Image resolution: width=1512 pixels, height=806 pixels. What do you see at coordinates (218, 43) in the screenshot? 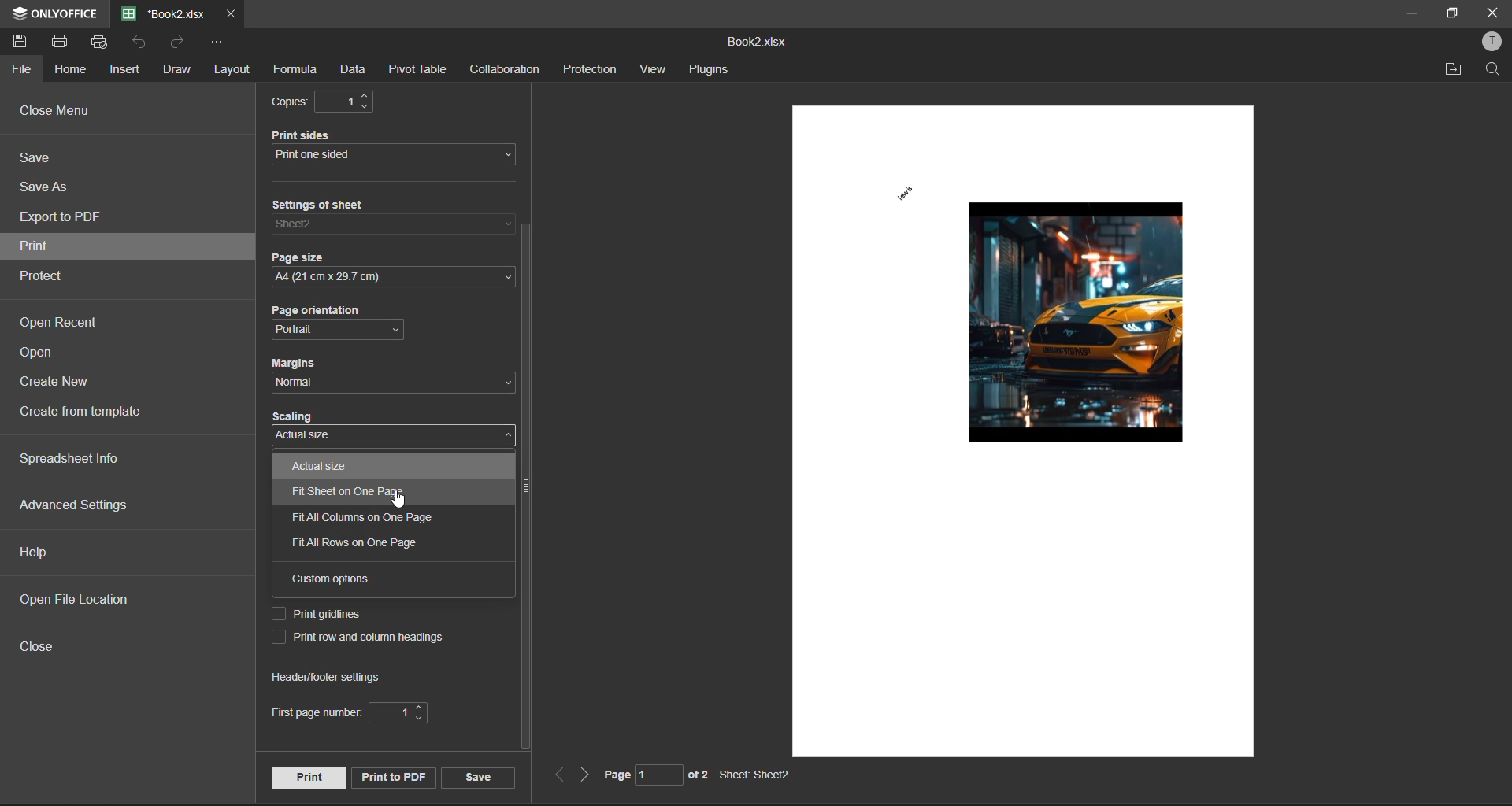
I see `customize quick access toolbar` at bounding box center [218, 43].